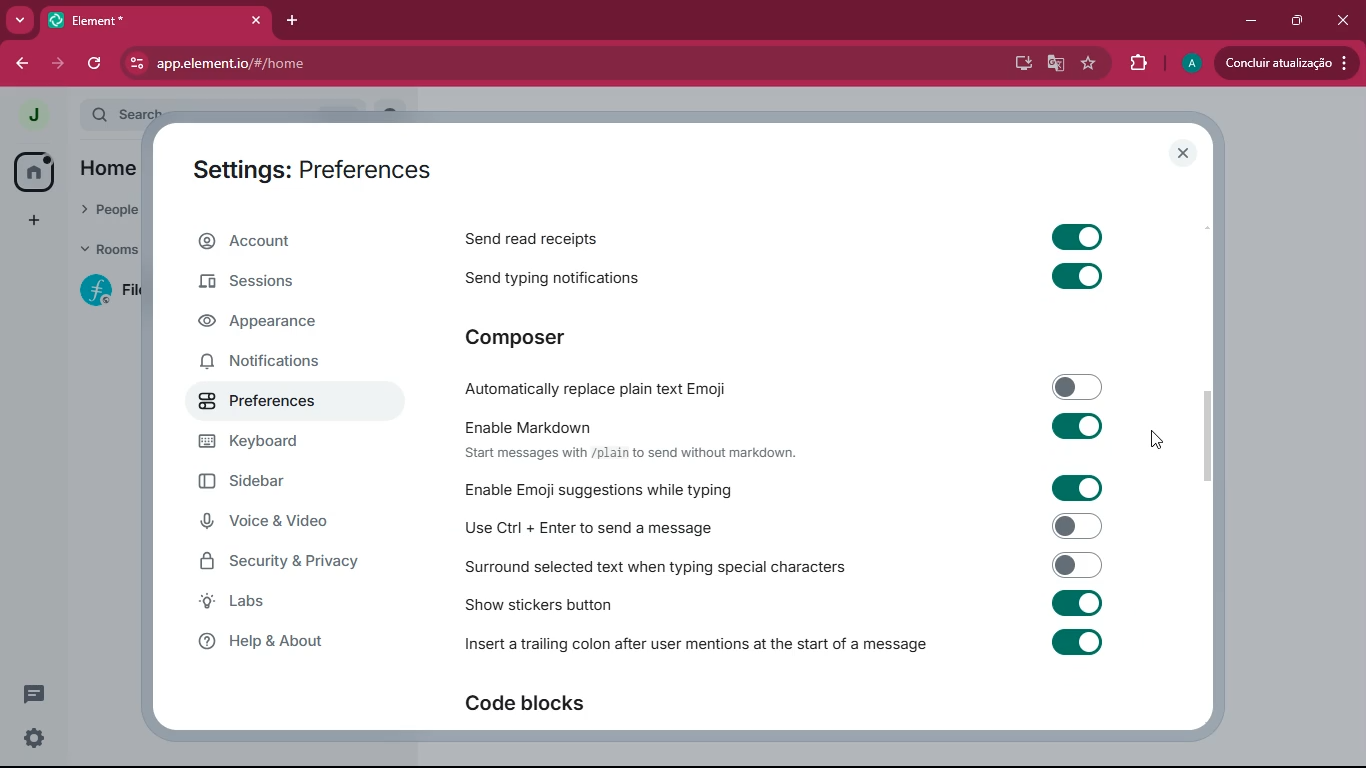 The image size is (1366, 768). I want to click on close, so click(1339, 17).